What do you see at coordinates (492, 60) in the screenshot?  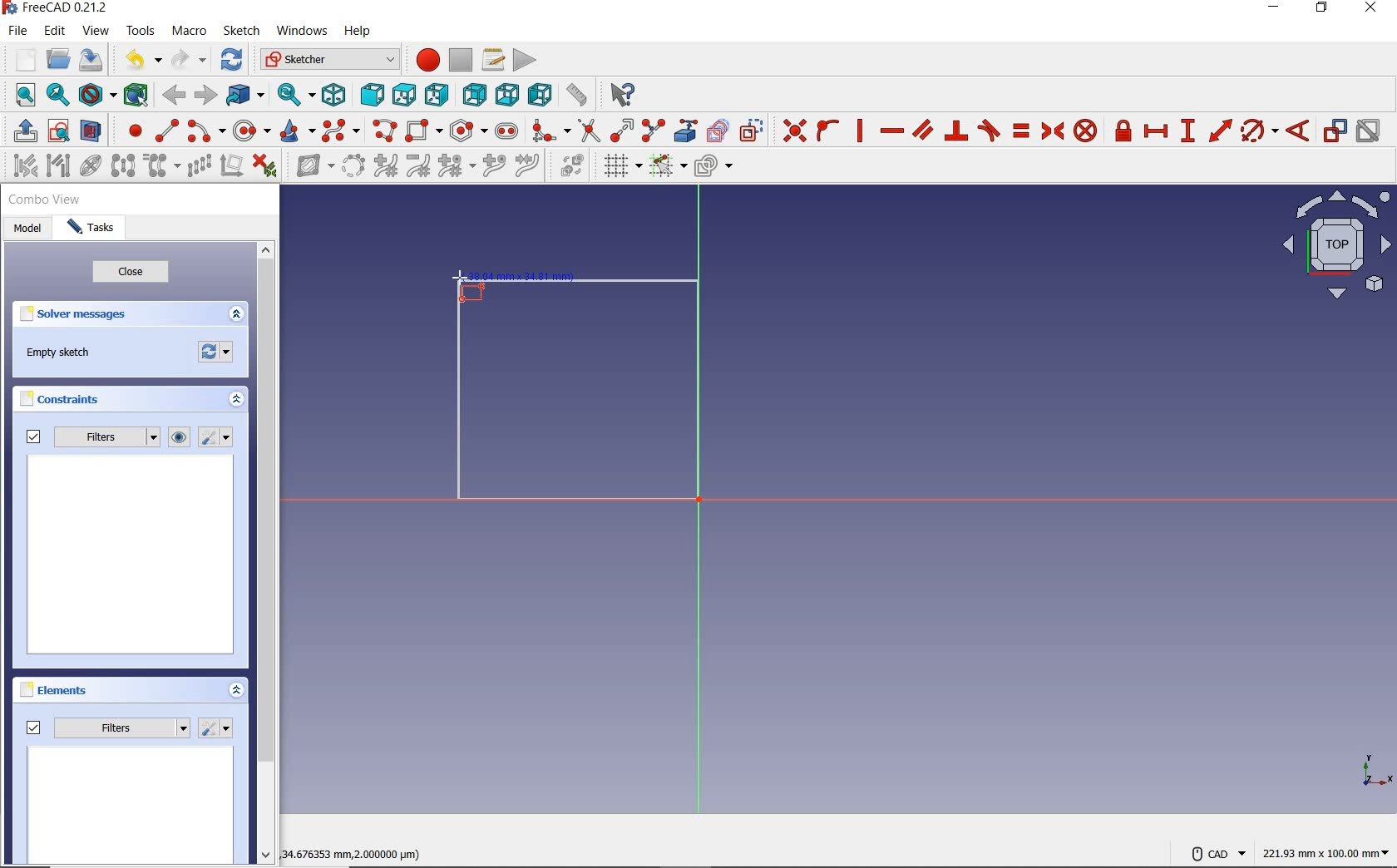 I see `macros` at bounding box center [492, 60].